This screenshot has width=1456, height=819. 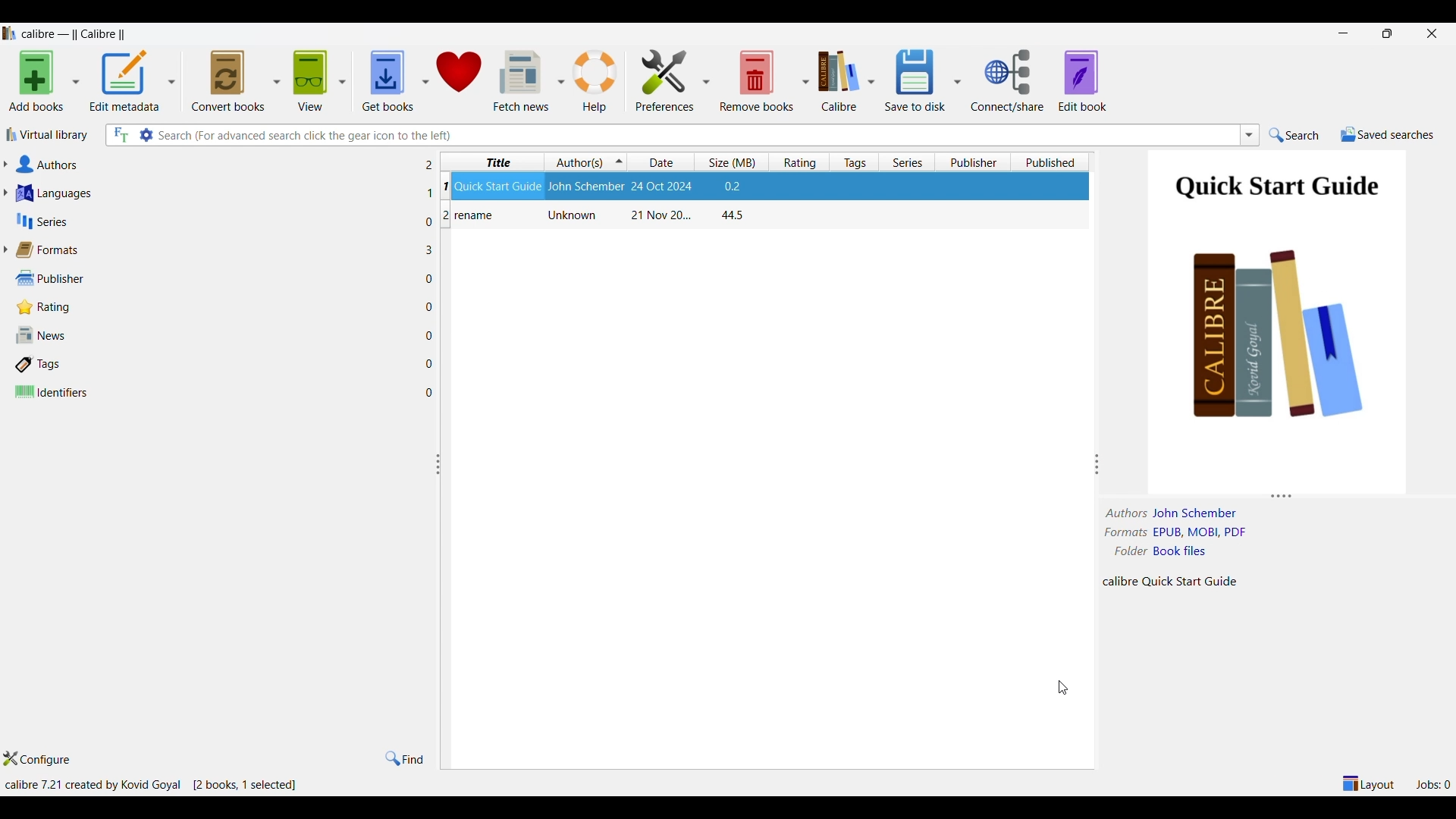 I want to click on Search, so click(x=1294, y=135).